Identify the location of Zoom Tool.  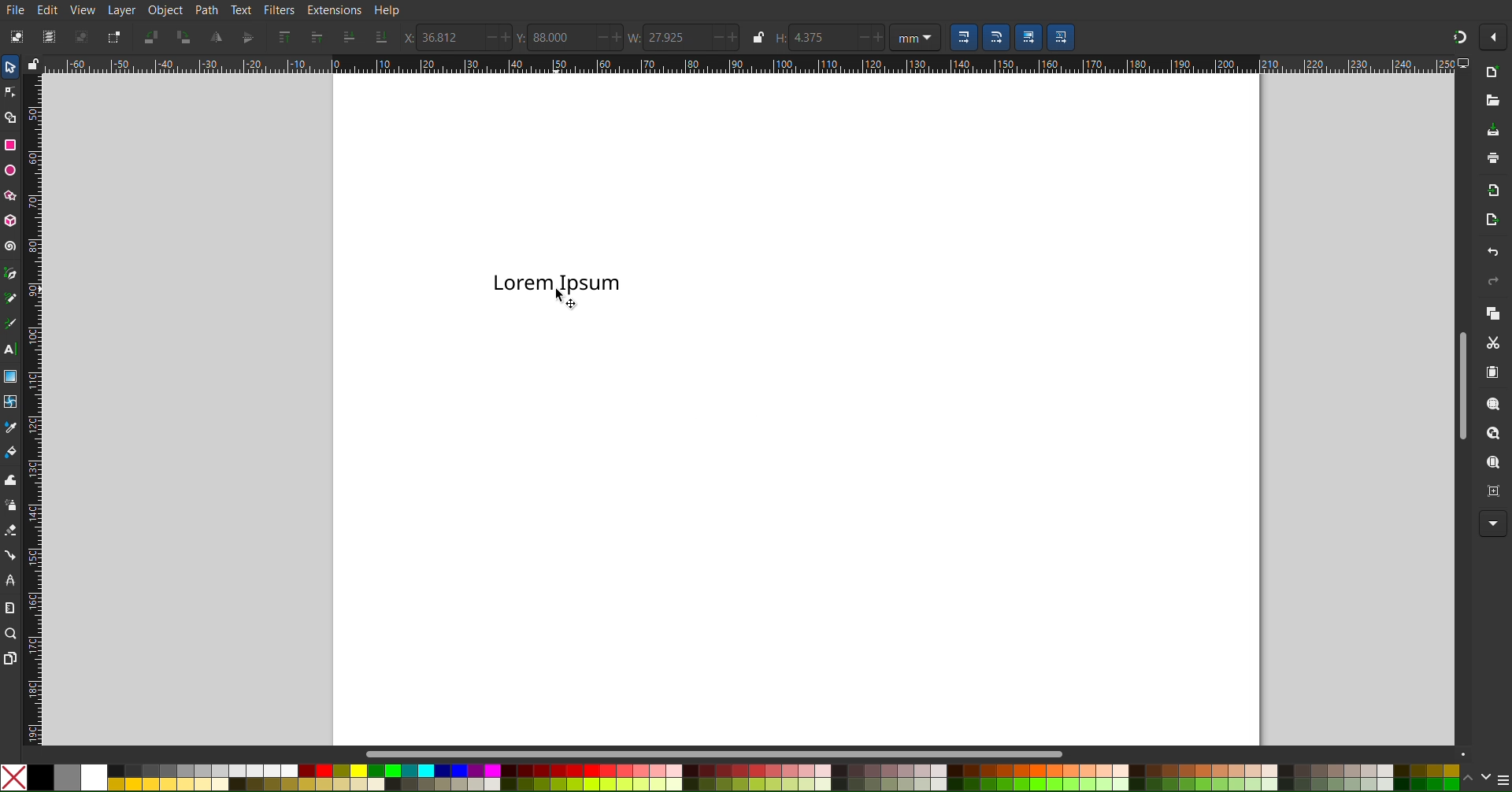
(10, 633).